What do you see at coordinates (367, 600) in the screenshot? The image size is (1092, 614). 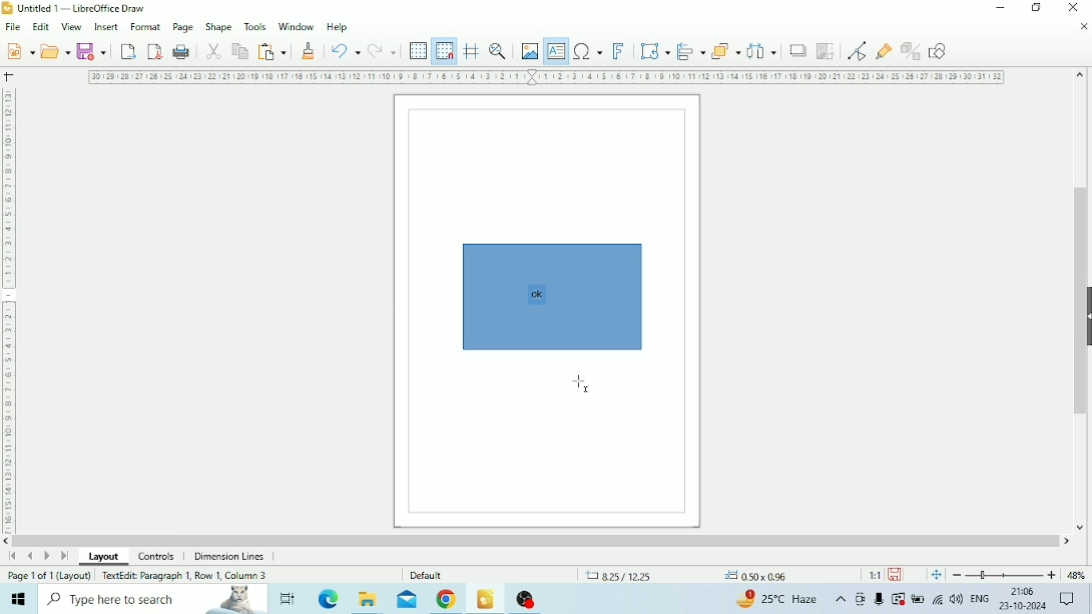 I see `File Explorer` at bounding box center [367, 600].